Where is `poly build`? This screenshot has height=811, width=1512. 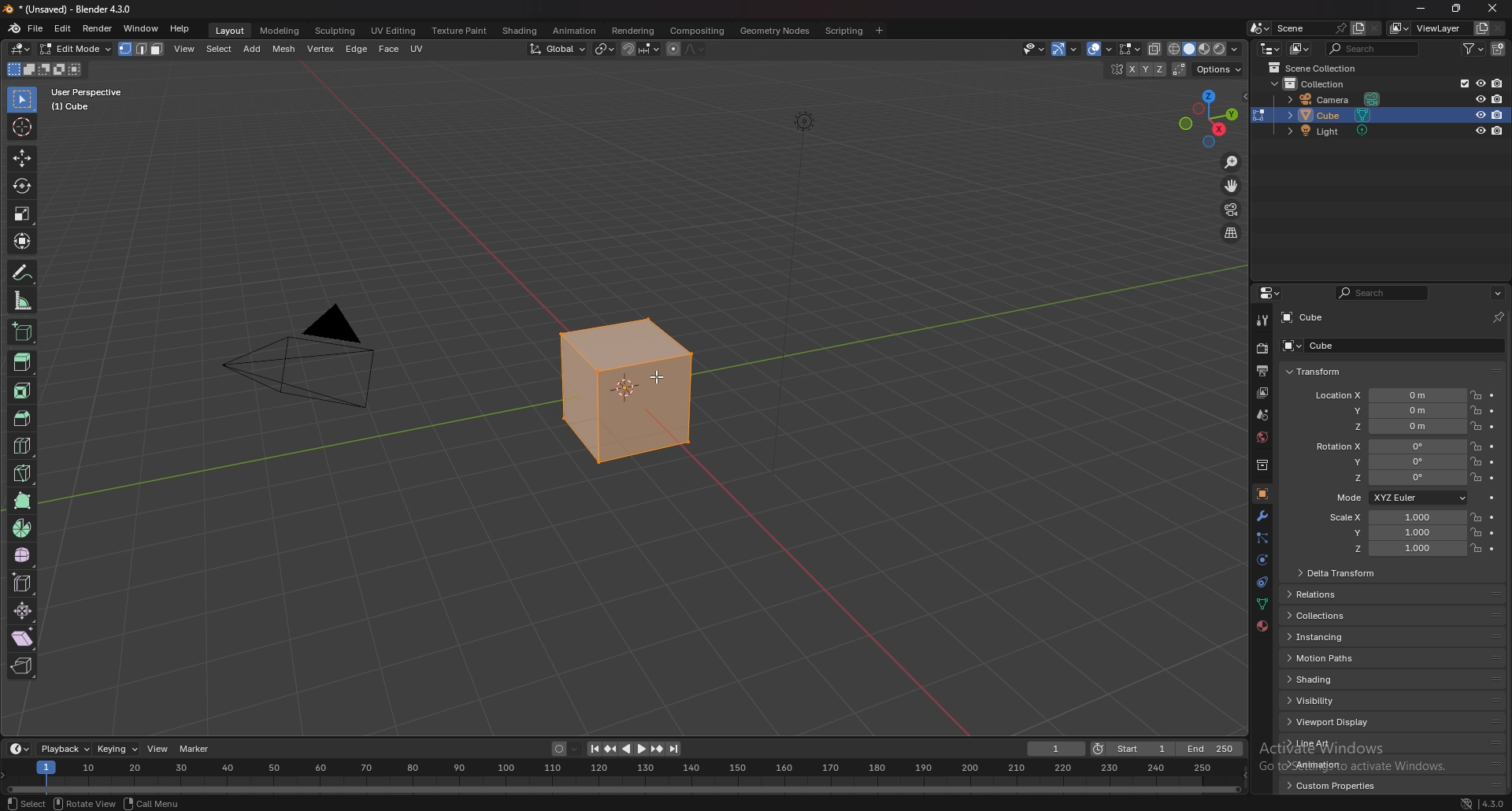
poly build is located at coordinates (23, 500).